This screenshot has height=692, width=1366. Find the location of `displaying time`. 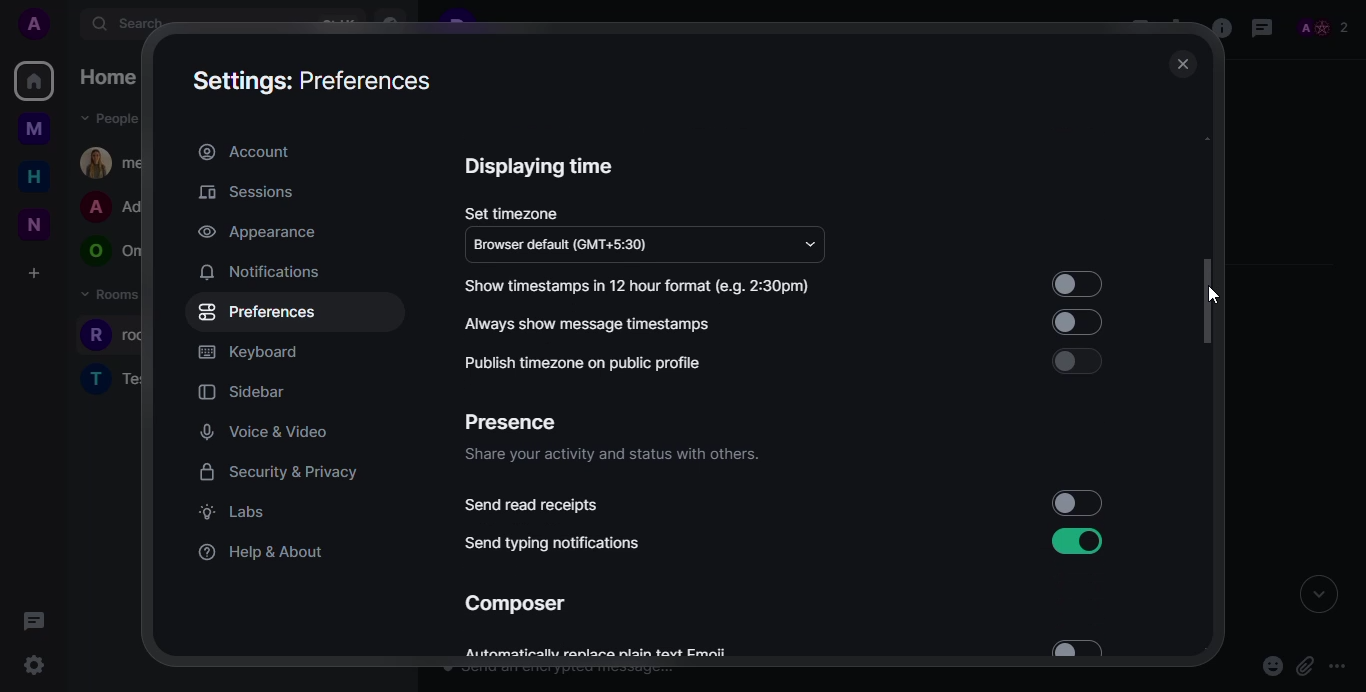

displaying time is located at coordinates (540, 166).